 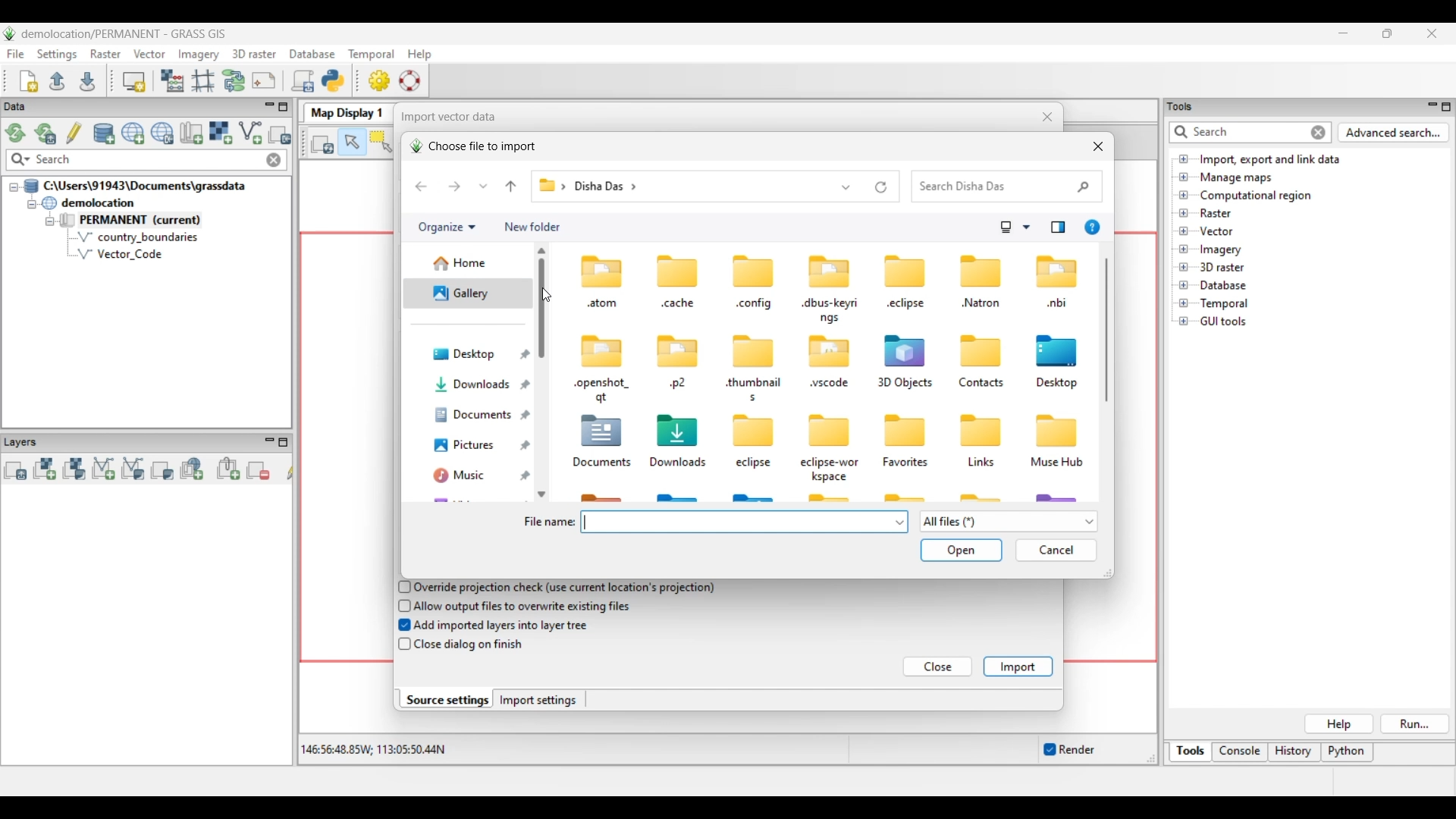 What do you see at coordinates (1106, 573) in the screenshot?
I see `Change width or height of current window` at bounding box center [1106, 573].